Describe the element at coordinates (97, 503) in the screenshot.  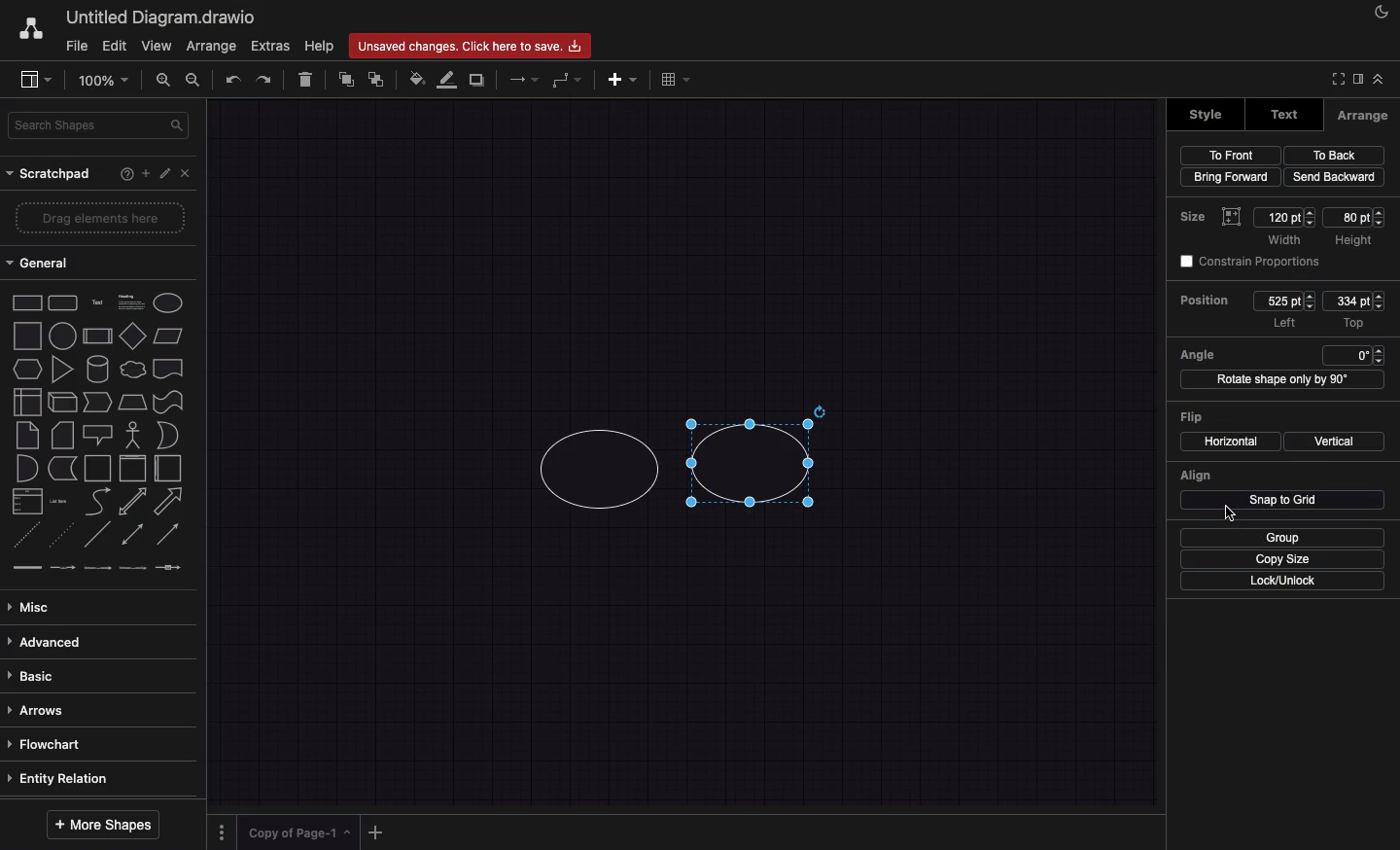
I see `curve` at that location.